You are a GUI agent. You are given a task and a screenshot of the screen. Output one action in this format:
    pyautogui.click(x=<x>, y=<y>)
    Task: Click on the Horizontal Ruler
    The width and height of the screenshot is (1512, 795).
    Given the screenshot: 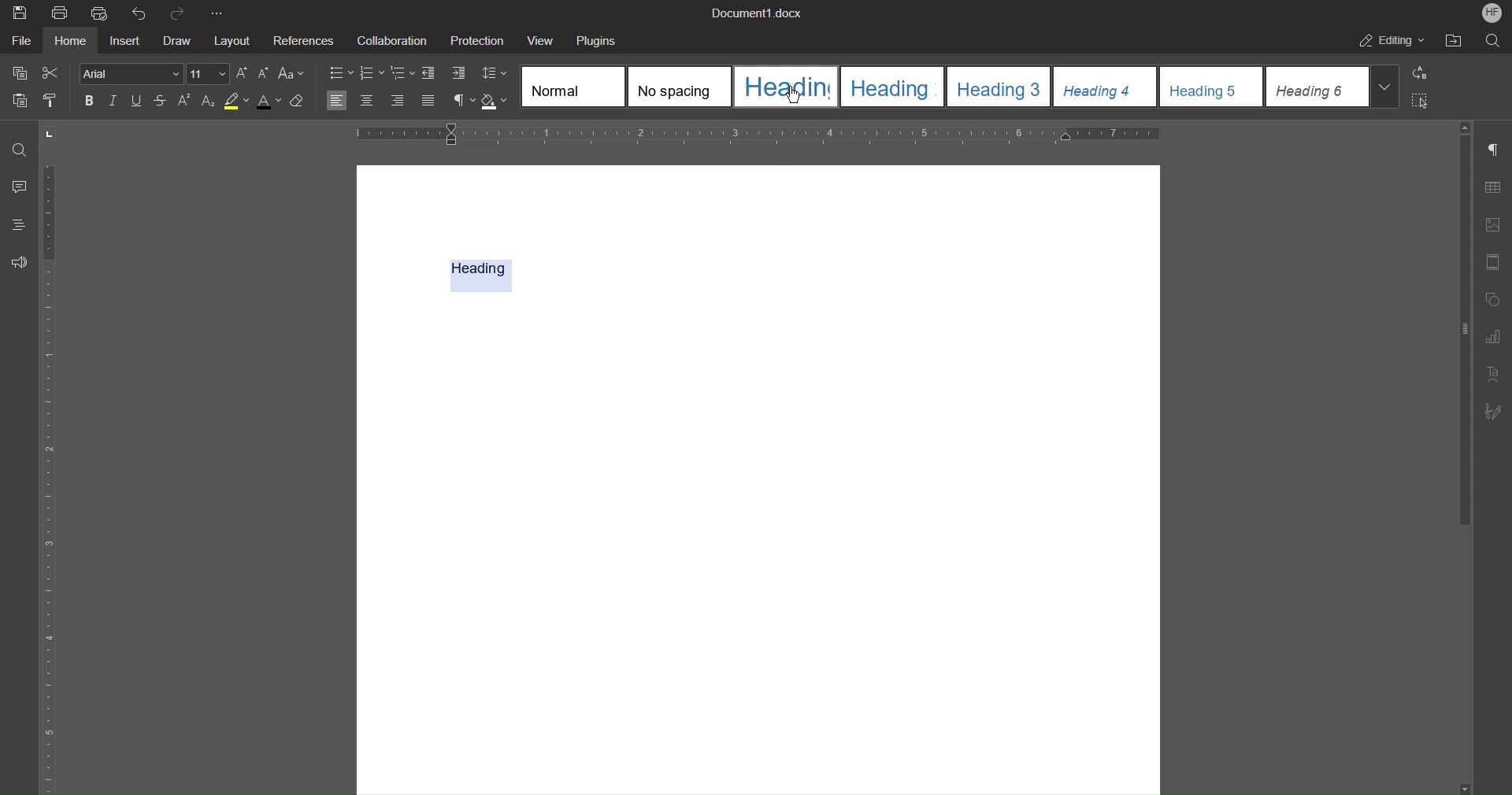 What is the action you would take?
    pyautogui.click(x=758, y=134)
    